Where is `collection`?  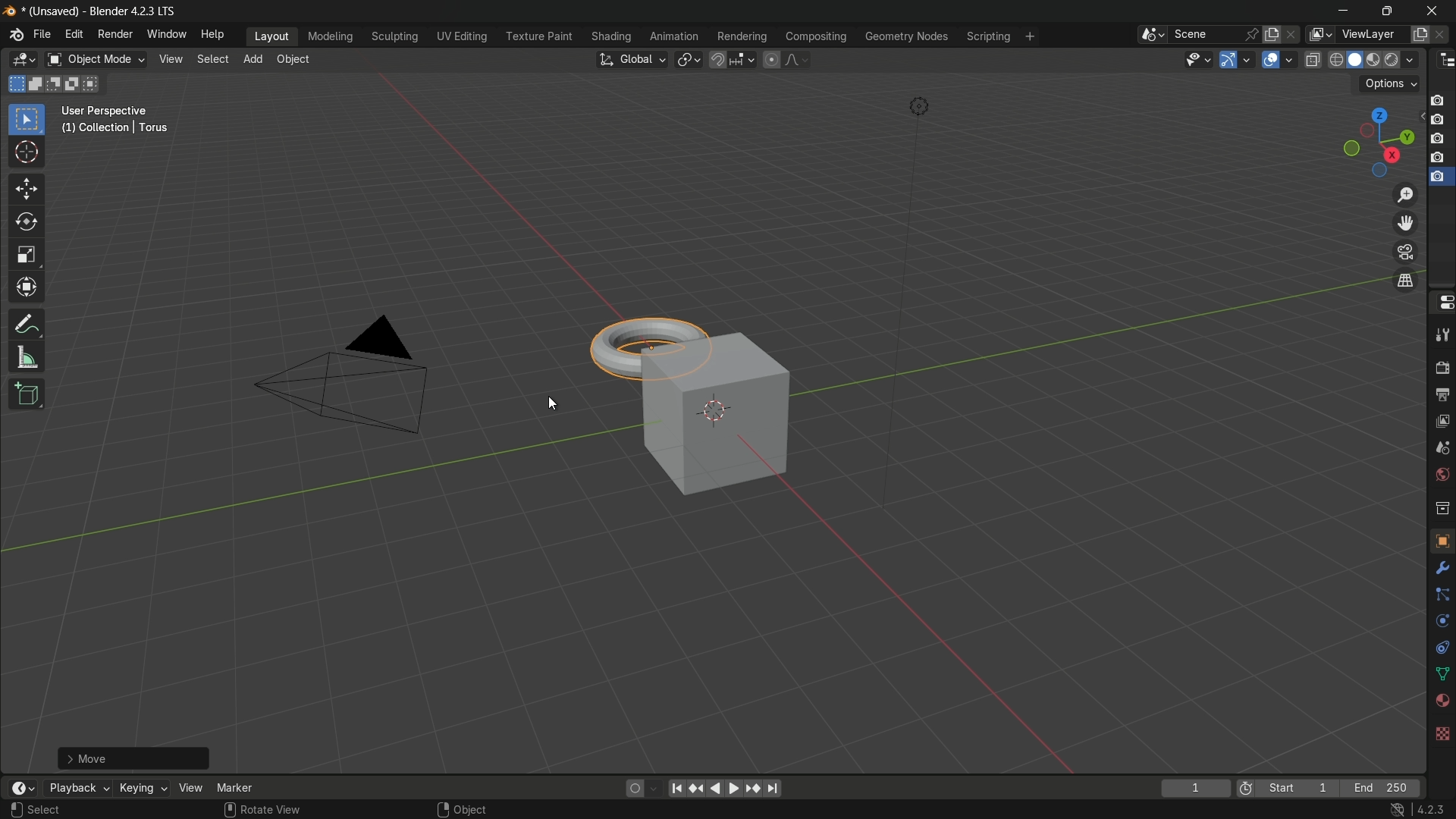
collection is located at coordinates (1441, 507).